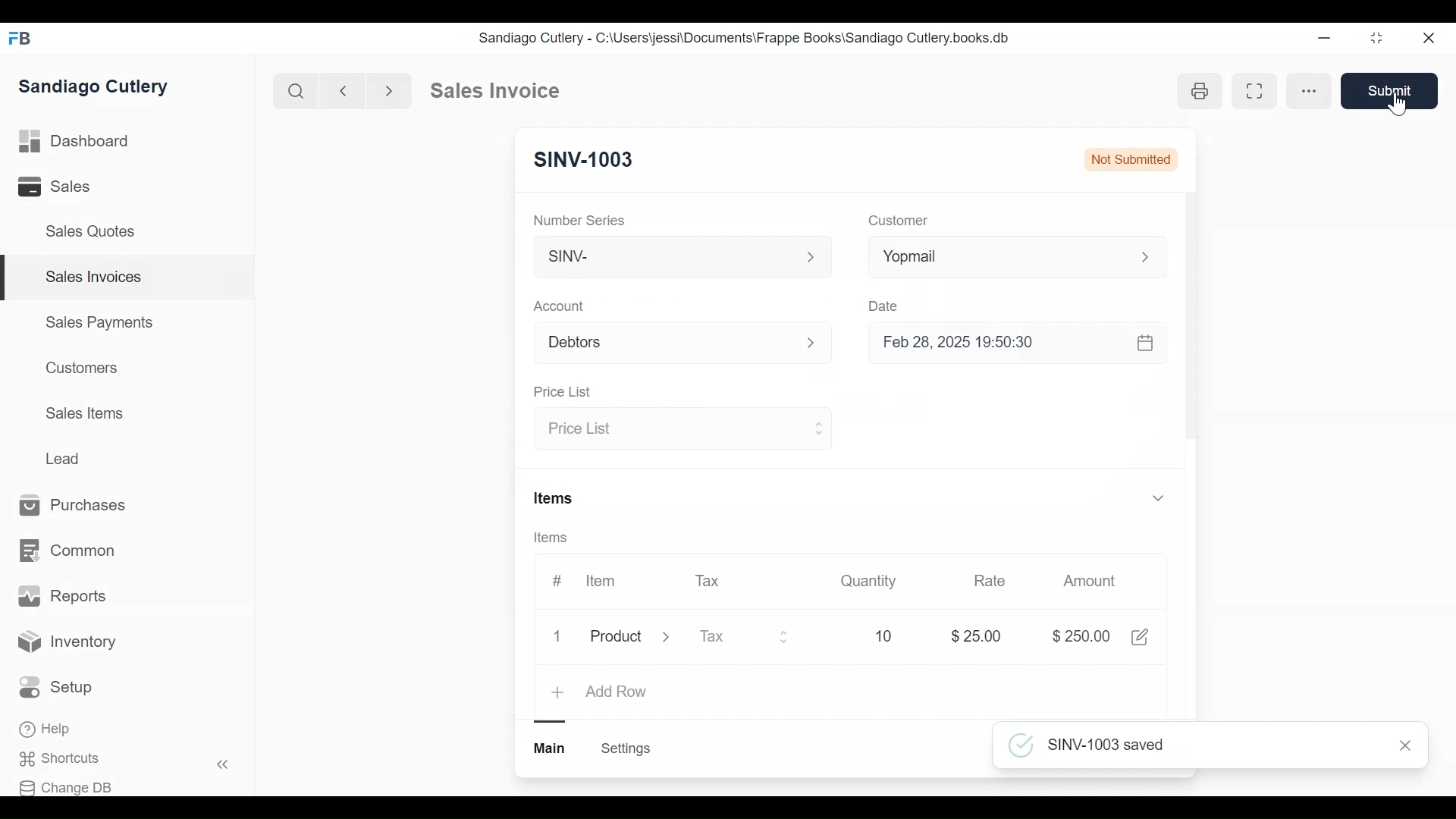 The width and height of the screenshot is (1456, 819). What do you see at coordinates (80, 506) in the screenshot?
I see `Purchases` at bounding box center [80, 506].